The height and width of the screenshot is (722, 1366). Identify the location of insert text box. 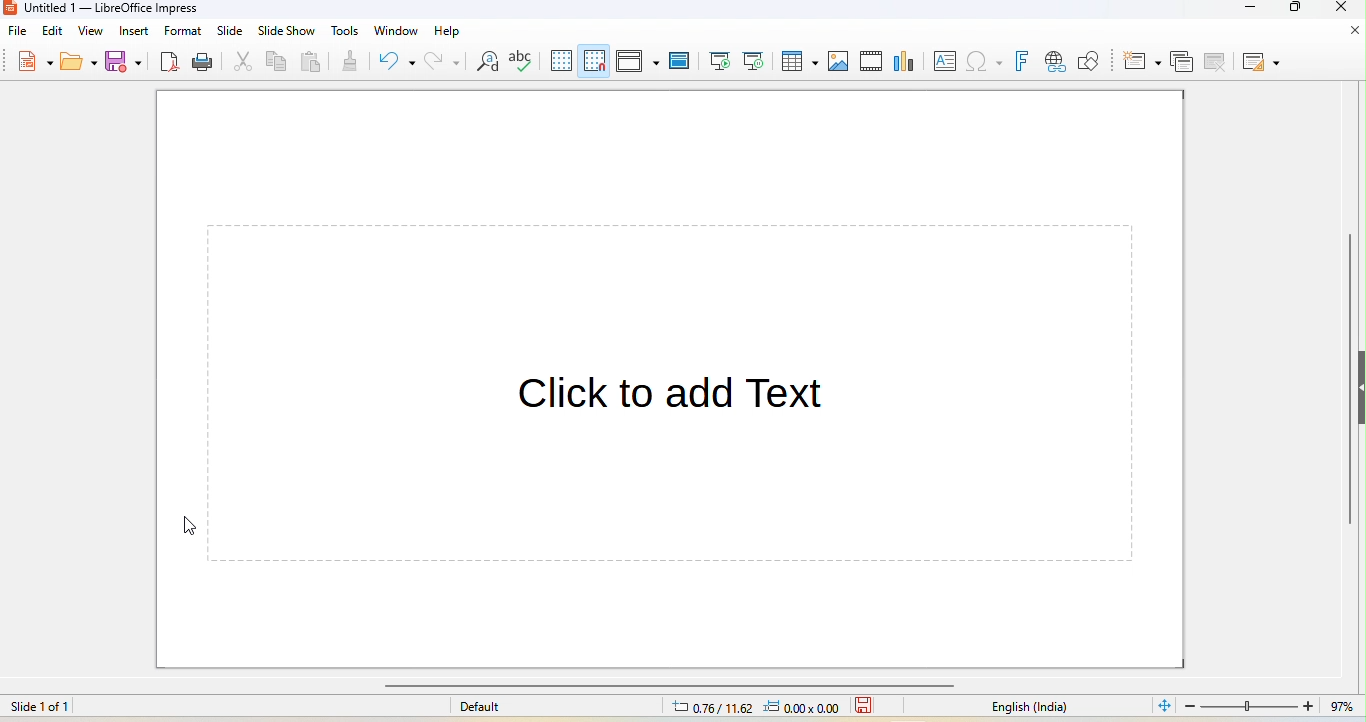
(945, 61).